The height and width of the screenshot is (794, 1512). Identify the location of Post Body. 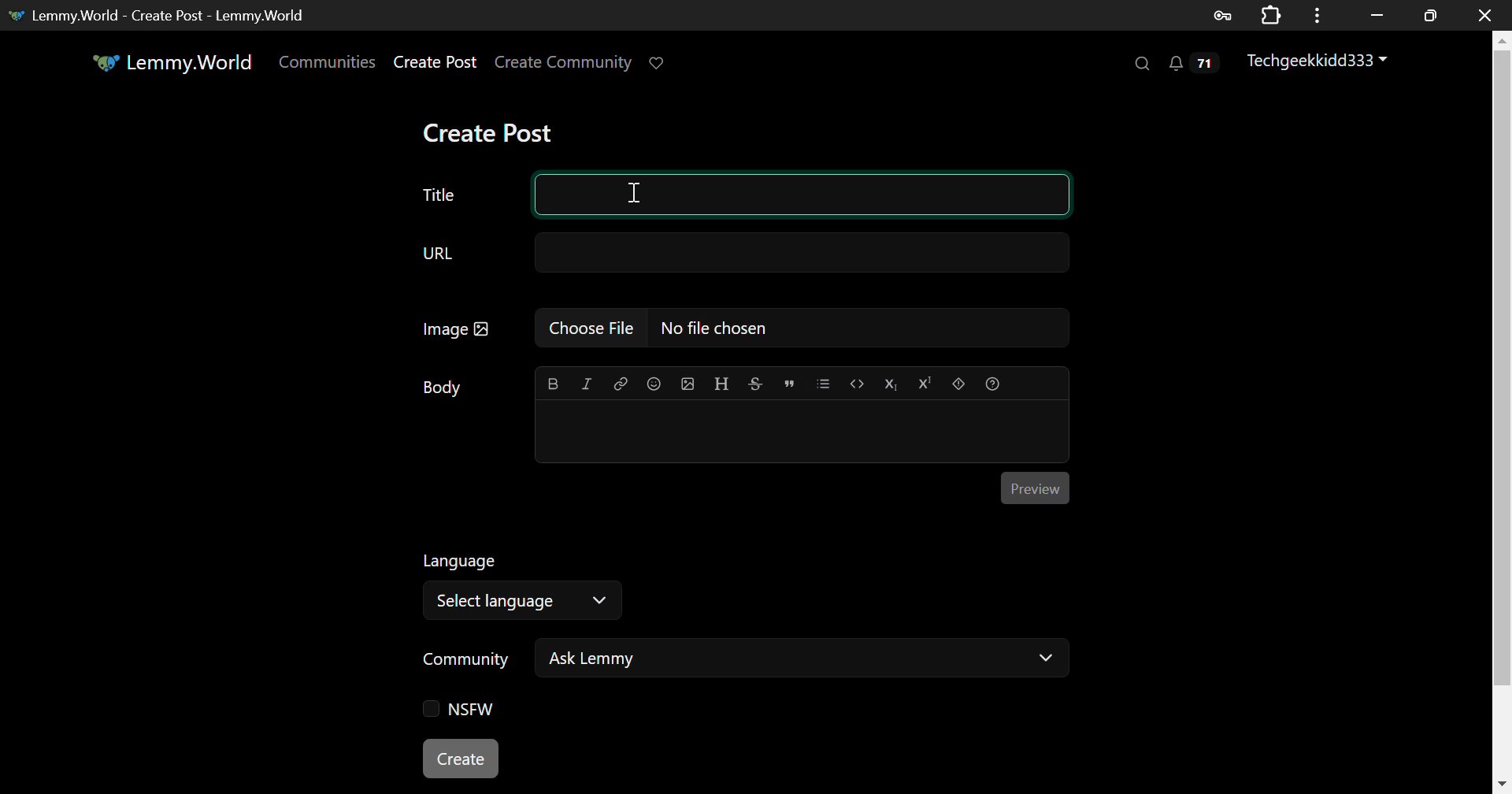
(802, 429).